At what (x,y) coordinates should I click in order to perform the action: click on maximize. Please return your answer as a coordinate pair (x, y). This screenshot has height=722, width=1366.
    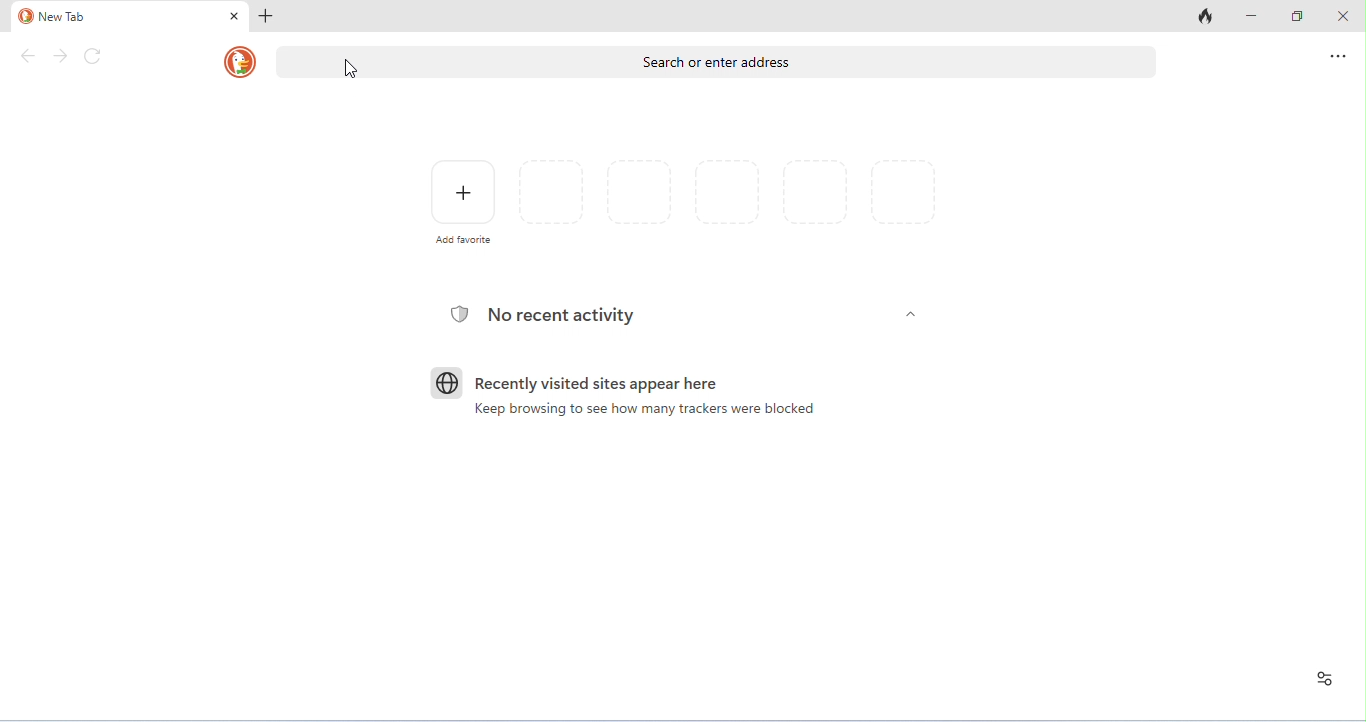
    Looking at the image, I should click on (1298, 15).